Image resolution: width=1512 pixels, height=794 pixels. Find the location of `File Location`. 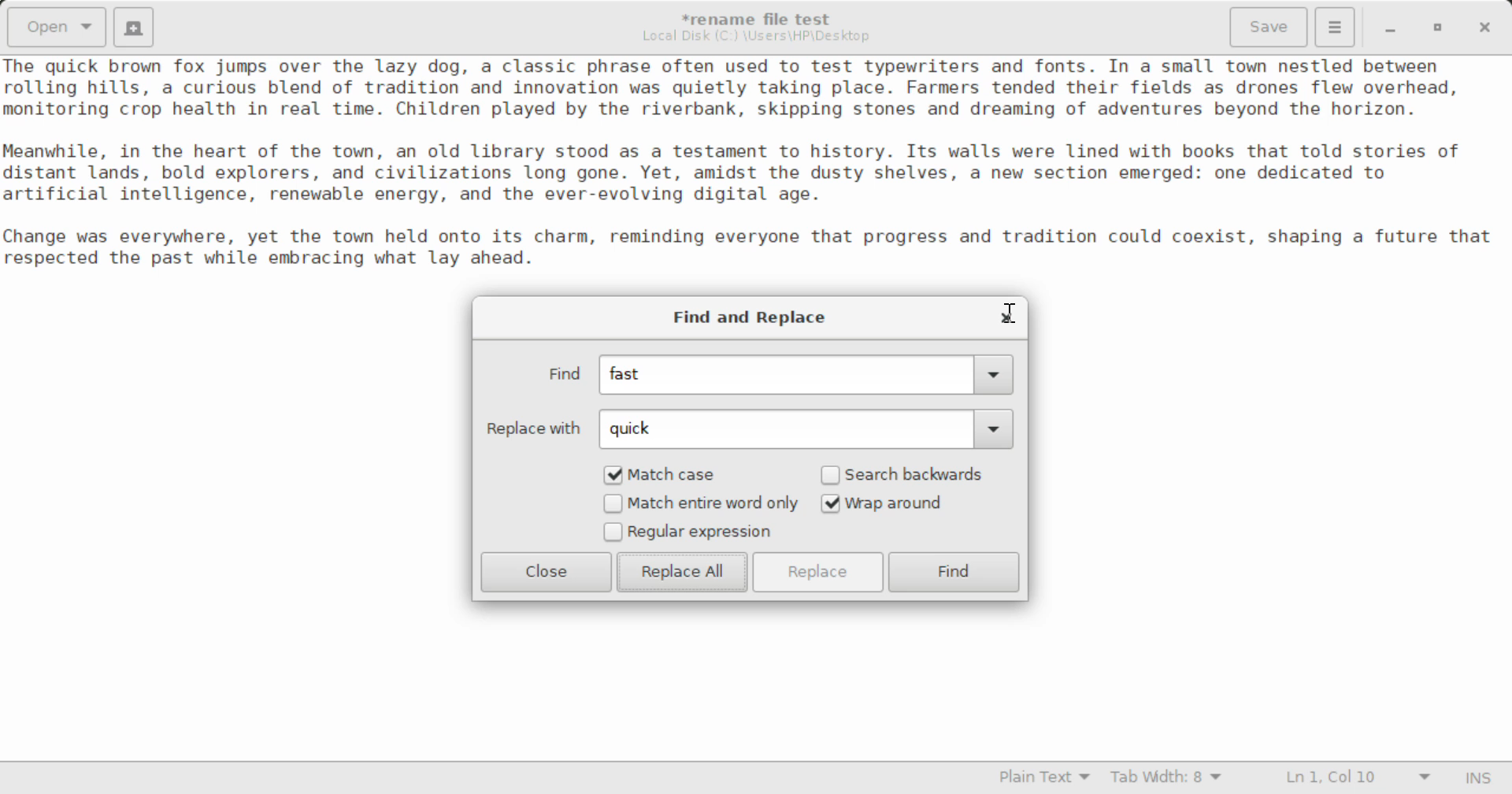

File Location is located at coordinates (760, 38).